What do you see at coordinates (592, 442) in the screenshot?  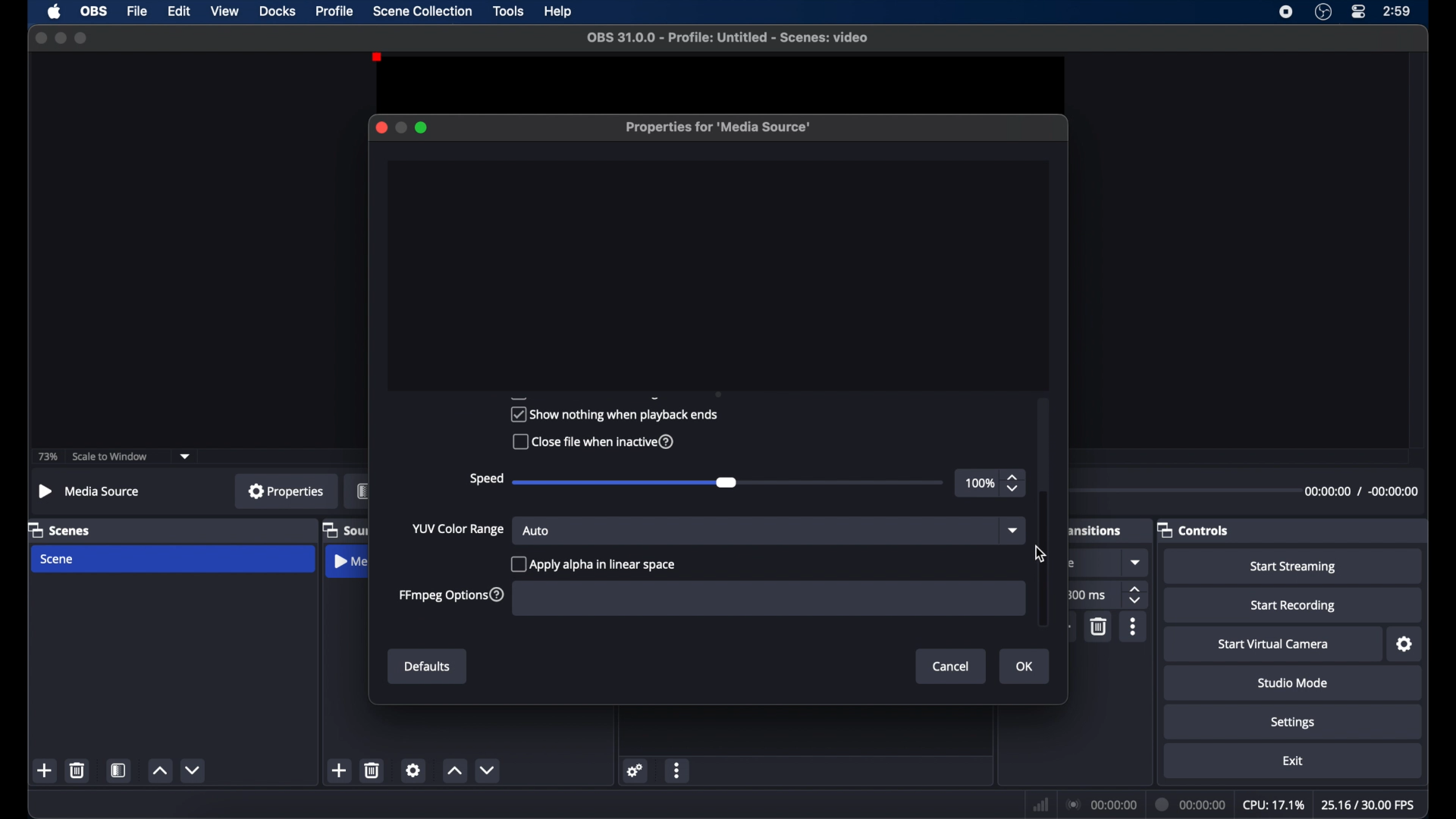 I see `close file when inactive` at bounding box center [592, 442].